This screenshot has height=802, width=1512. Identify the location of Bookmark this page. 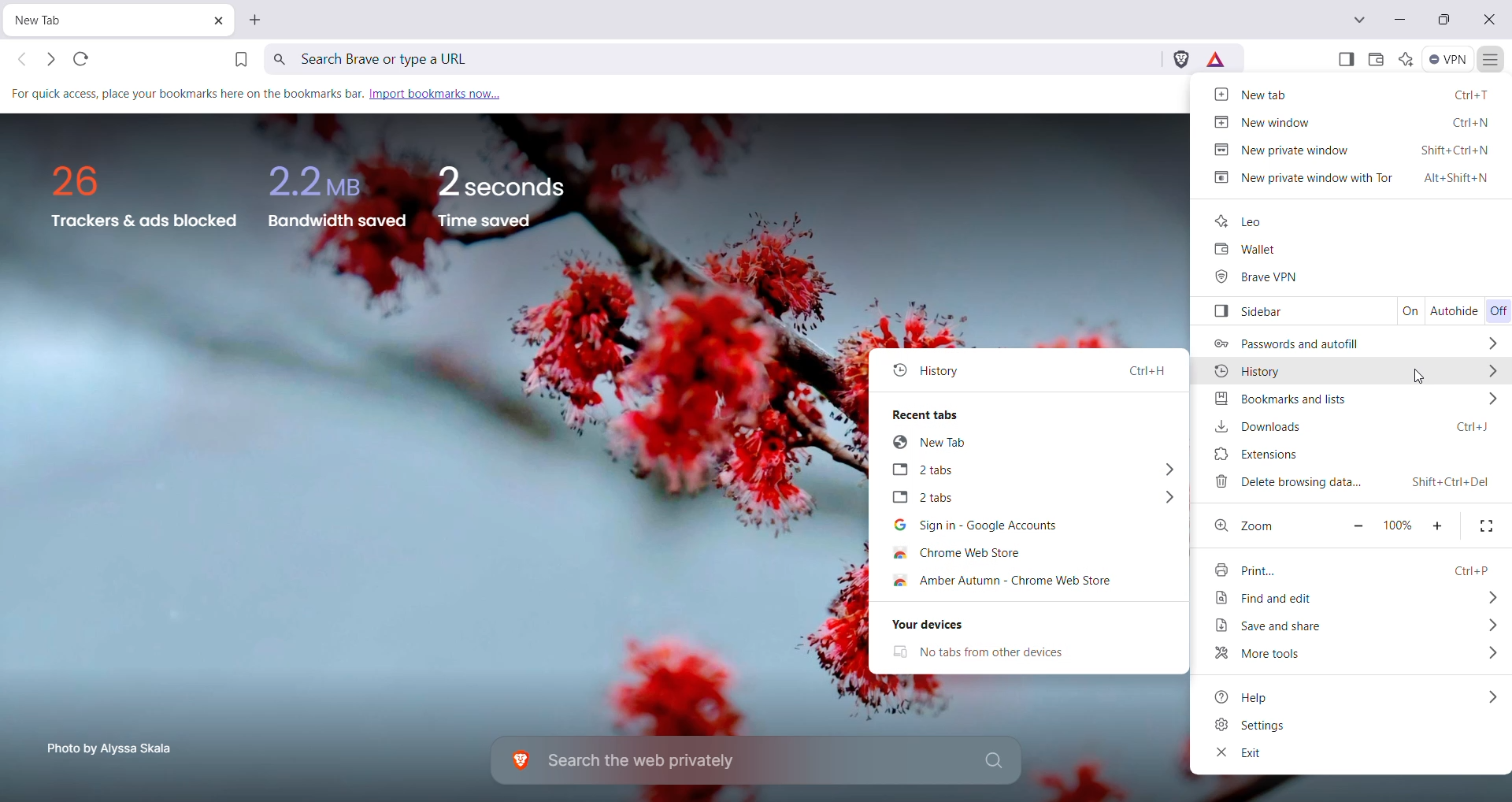
(239, 58).